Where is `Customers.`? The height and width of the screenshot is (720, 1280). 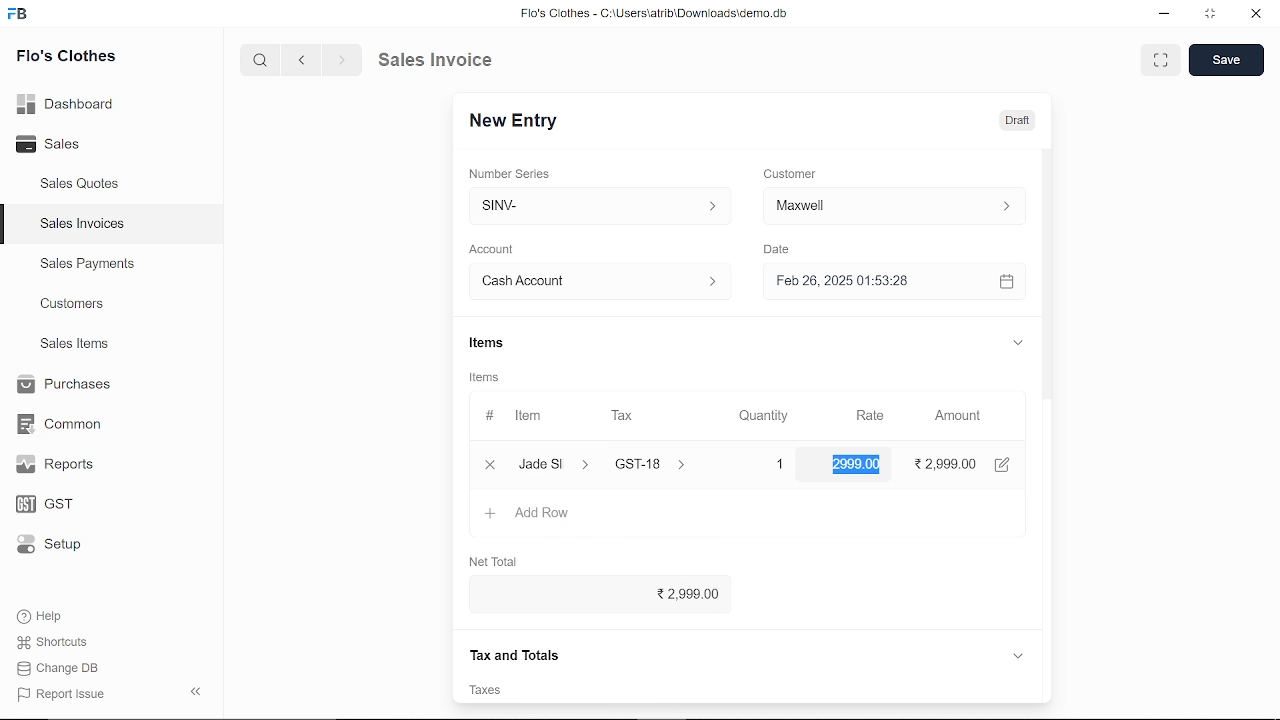
Customers. is located at coordinates (73, 304).